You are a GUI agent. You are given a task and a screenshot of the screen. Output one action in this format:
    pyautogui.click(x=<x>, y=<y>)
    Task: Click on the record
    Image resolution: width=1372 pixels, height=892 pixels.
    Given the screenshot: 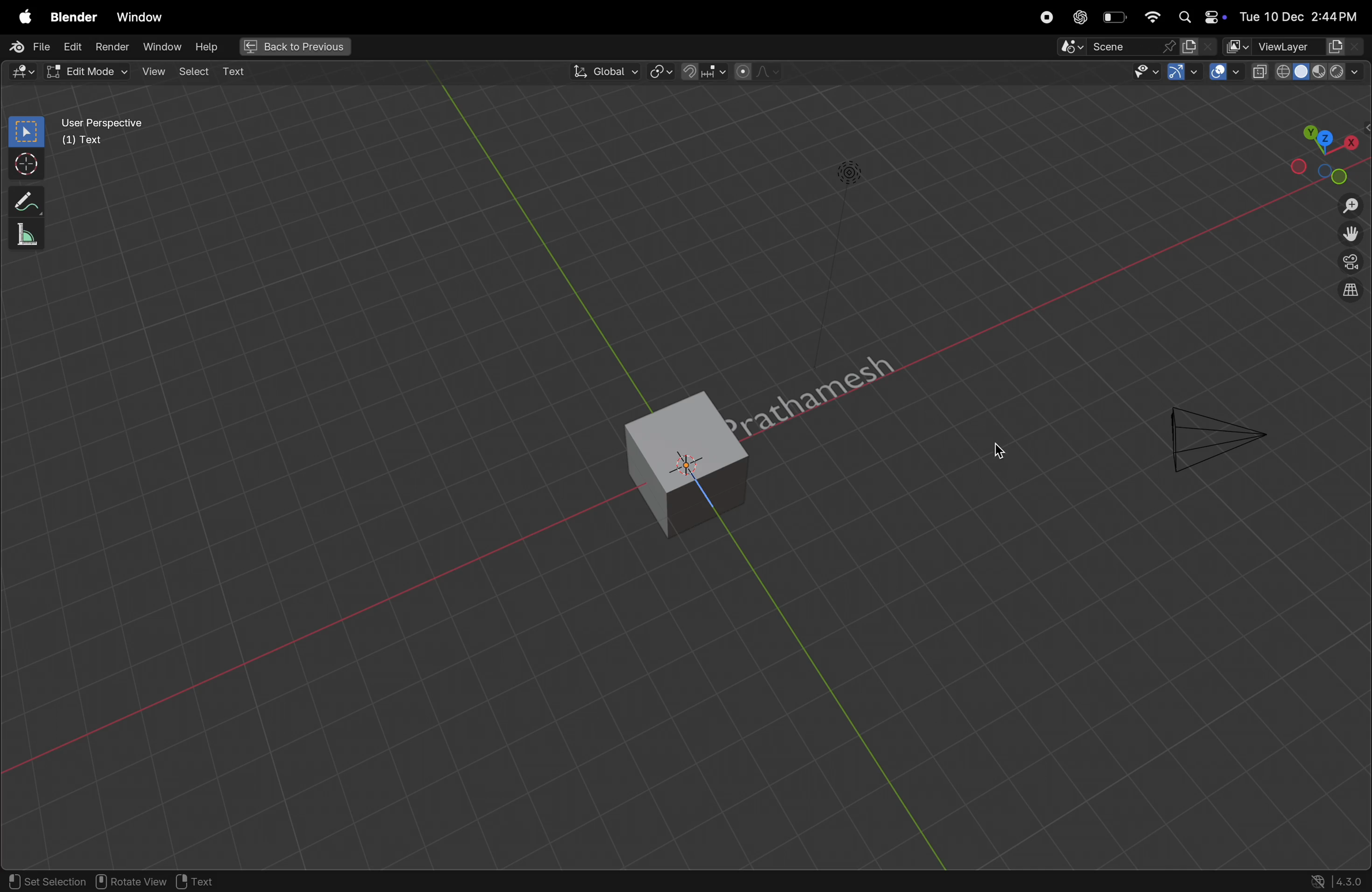 What is the action you would take?
    pyautogui.click(x=1045, y=17)
    